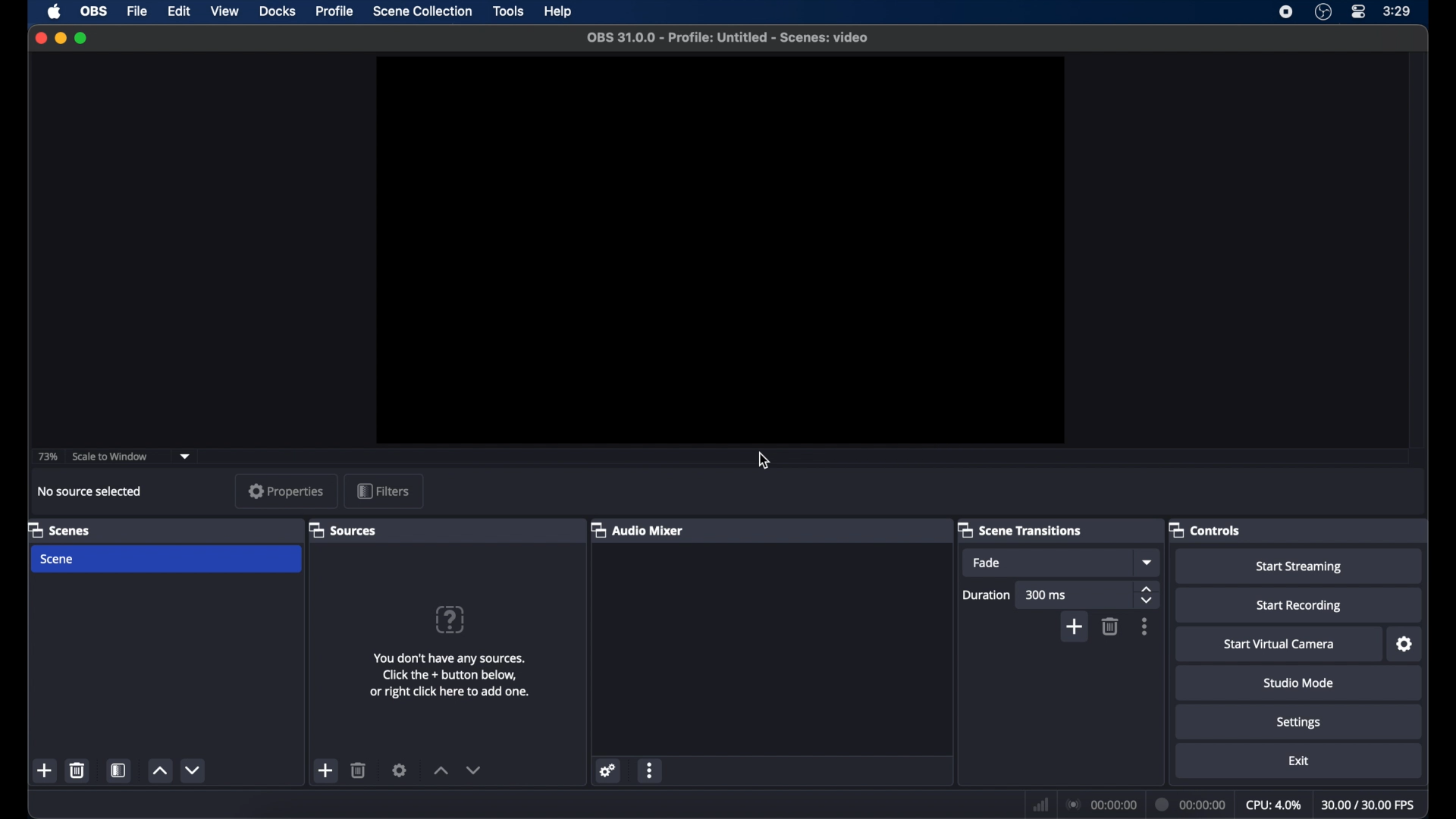 This screenshot has width=1456, height=819. I want to click on more options, so click(1145, 626).